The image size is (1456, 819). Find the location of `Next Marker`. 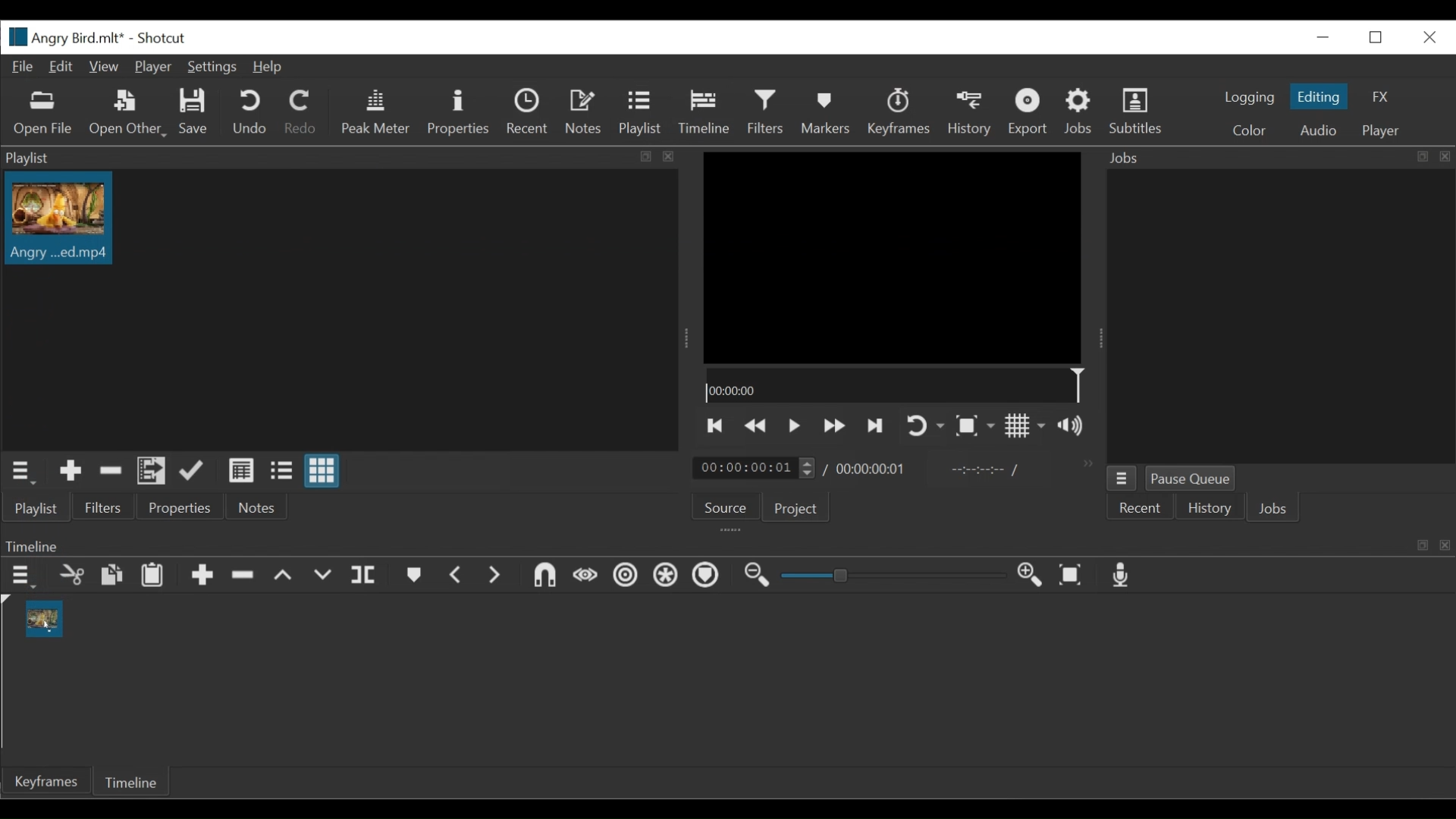

Next Marker is located at coordinates (495, 576).